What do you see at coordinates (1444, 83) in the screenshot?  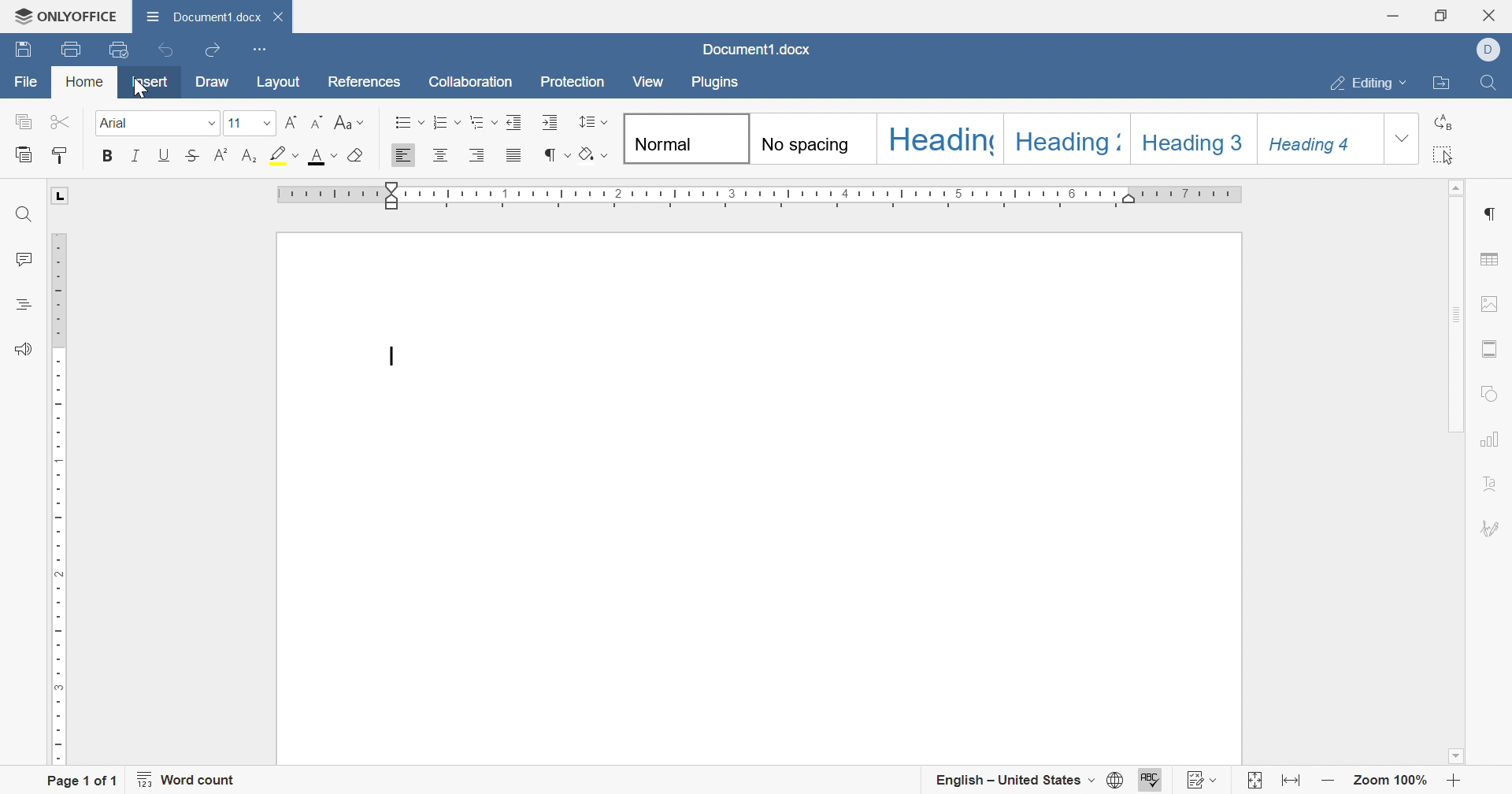 I see `Open File location` at bounding box center [1444, 83].